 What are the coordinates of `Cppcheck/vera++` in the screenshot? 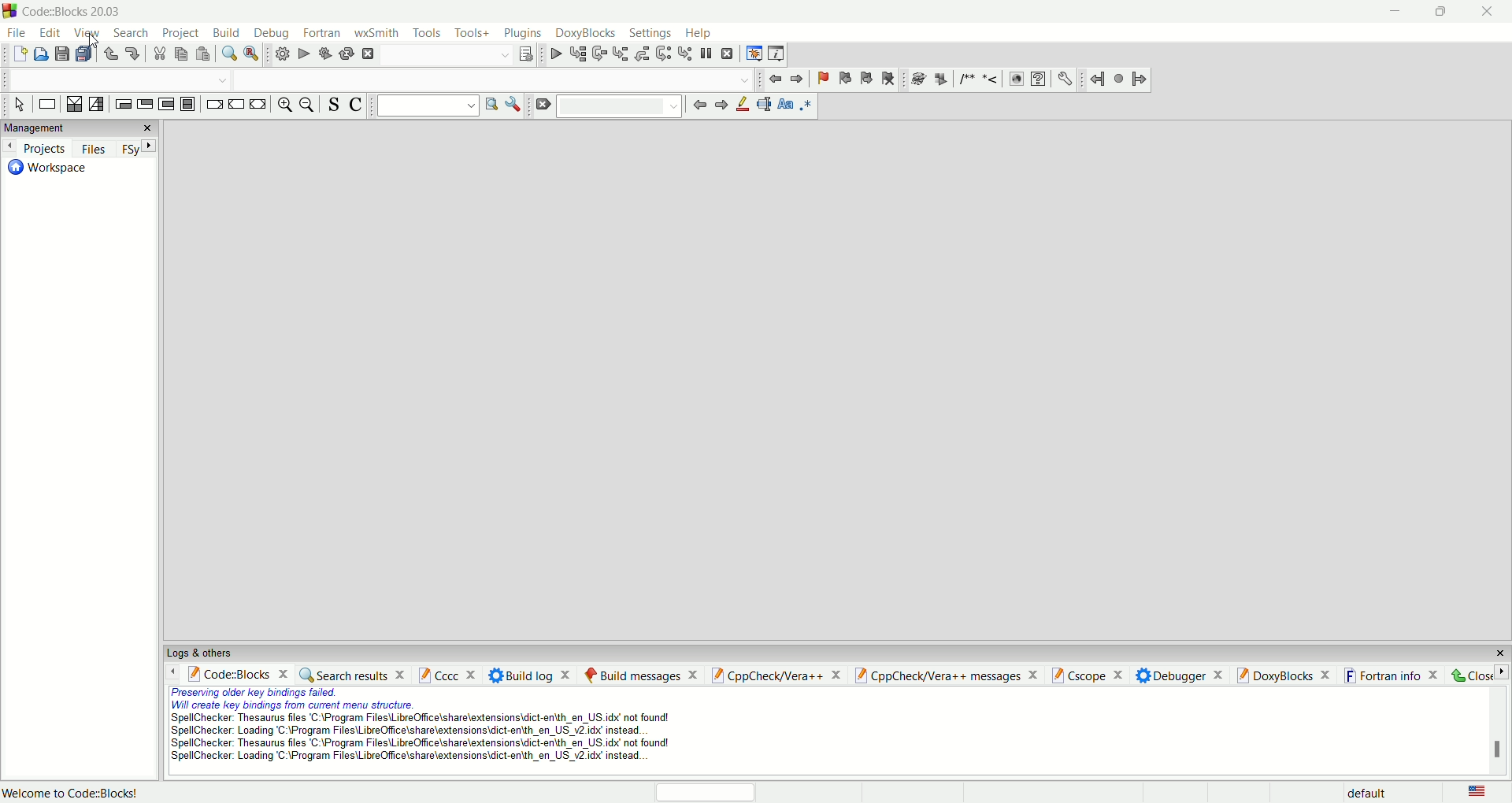 It's located at (774, 675).